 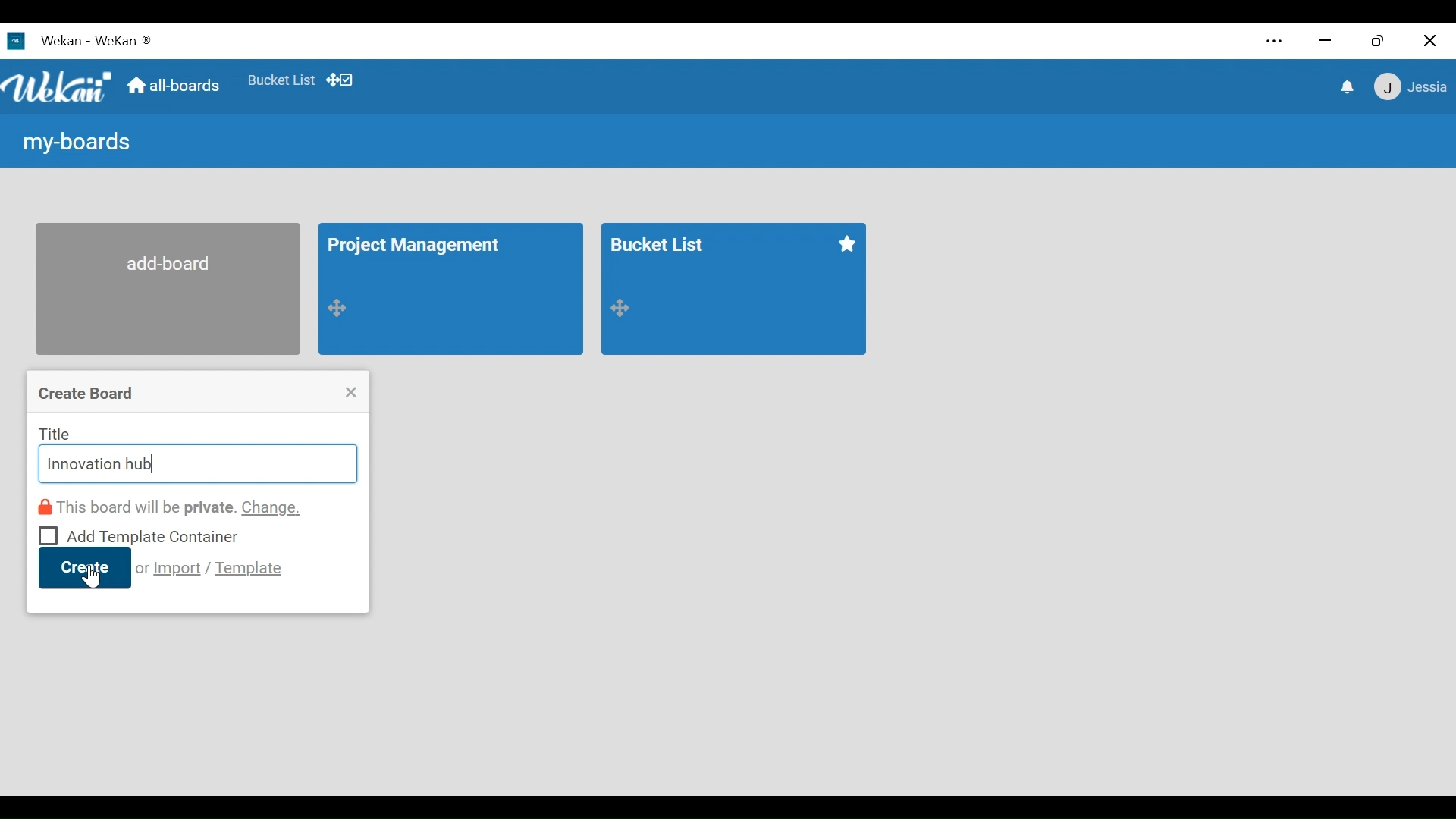 What do you see at coordinates (351, 392) in the screenshot?
I see `Close` at bounding box center [351, 392].